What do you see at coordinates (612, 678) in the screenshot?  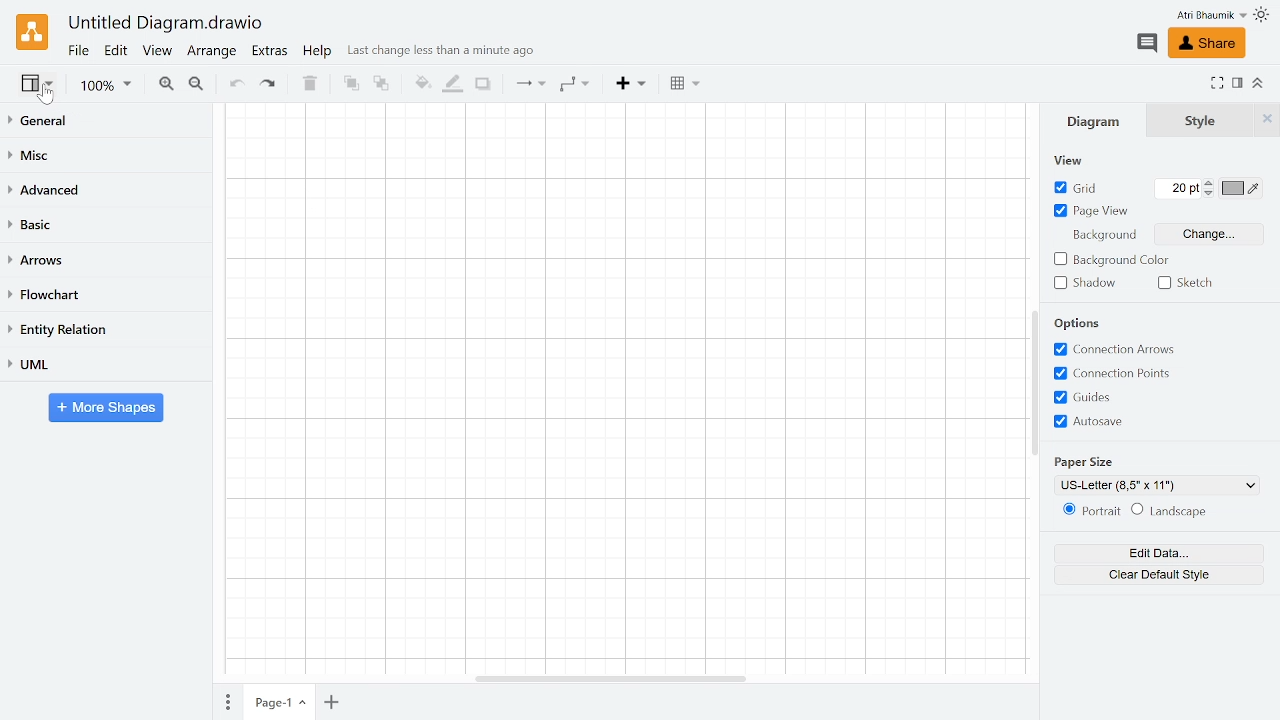 I see `Horizontal scrolbar` at bounding box center [612, 678].